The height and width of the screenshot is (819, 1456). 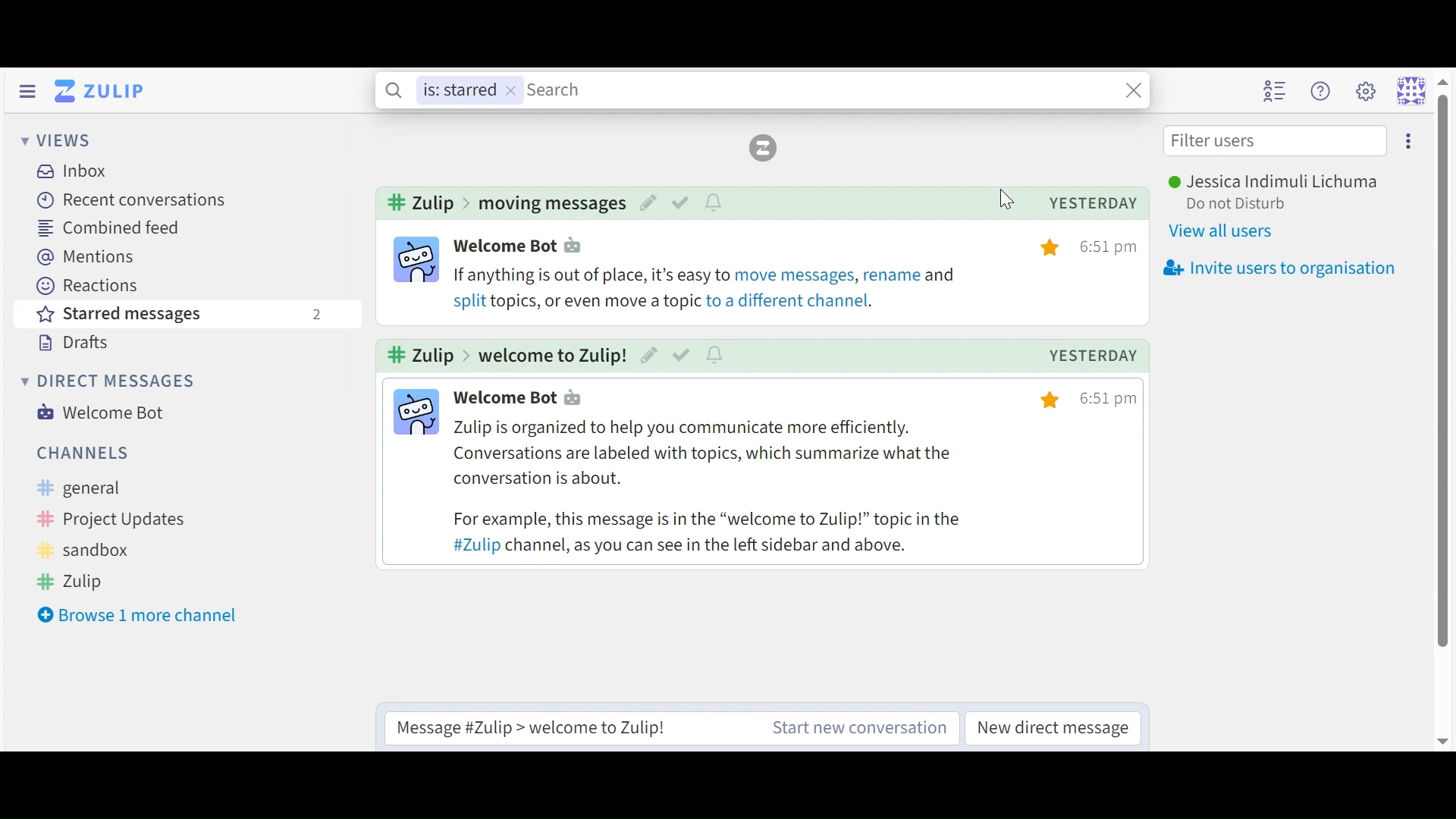 What do you see at coordinates (187, 316) in the screenshot?
I see `Starred messages` at bounding box center [187, 316].